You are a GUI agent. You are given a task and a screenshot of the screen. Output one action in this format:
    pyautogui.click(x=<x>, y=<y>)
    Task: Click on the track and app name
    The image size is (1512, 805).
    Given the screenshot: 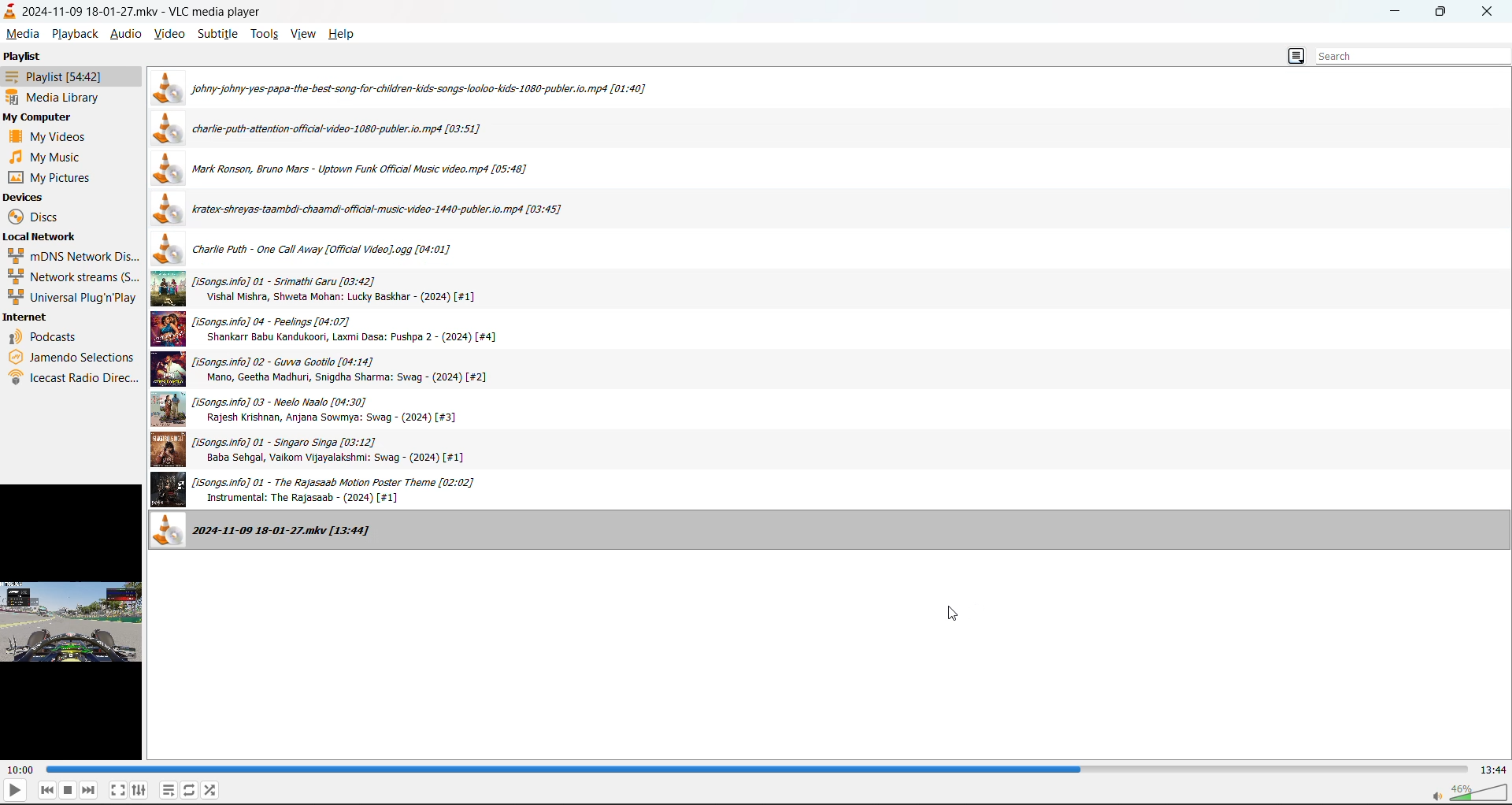 What is the action you would take?
    pyautogui.click(x=132, y=11)
    